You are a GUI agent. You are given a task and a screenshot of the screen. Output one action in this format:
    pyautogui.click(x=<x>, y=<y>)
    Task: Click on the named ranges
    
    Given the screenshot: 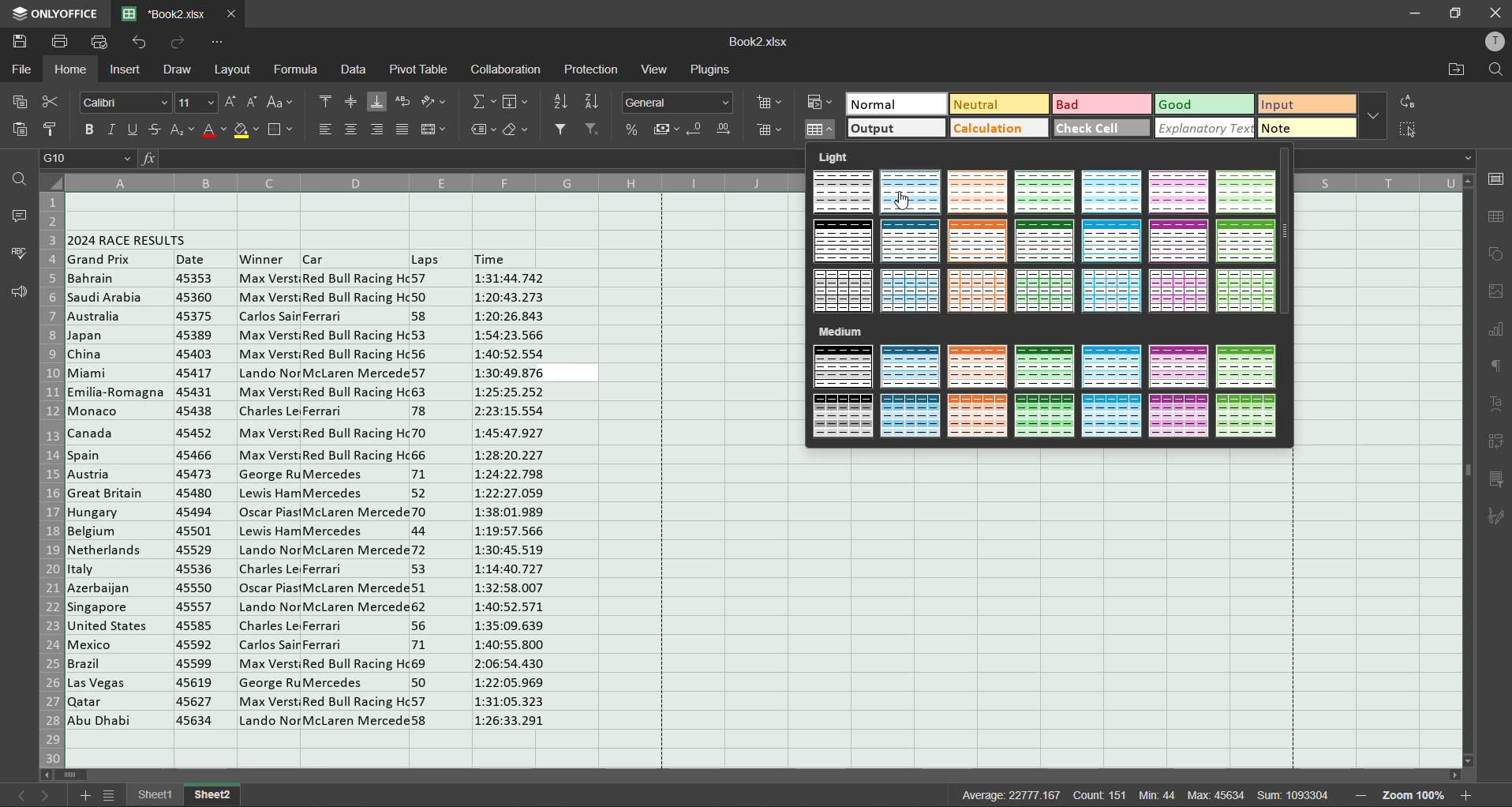 What is the action you would take?
    pyautogui.click(x=485, y=129)
    